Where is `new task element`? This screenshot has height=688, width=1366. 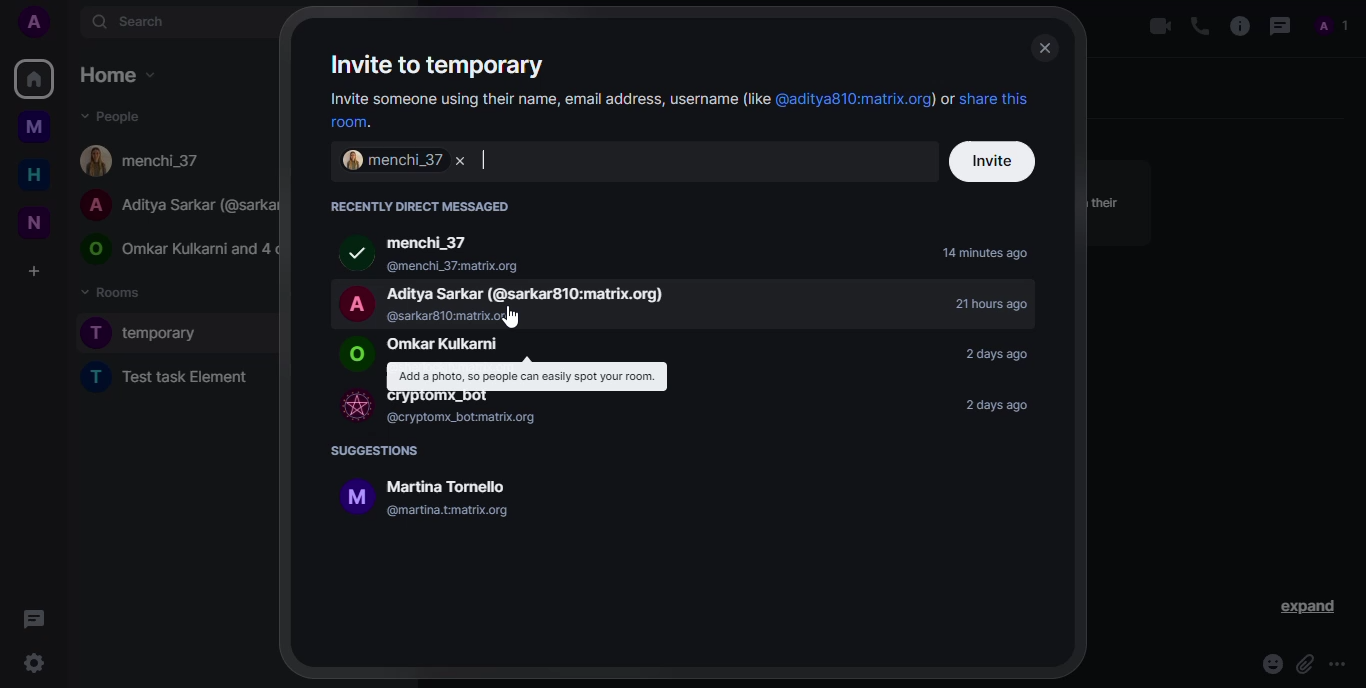
new task element is located at coordinates (181, 381).